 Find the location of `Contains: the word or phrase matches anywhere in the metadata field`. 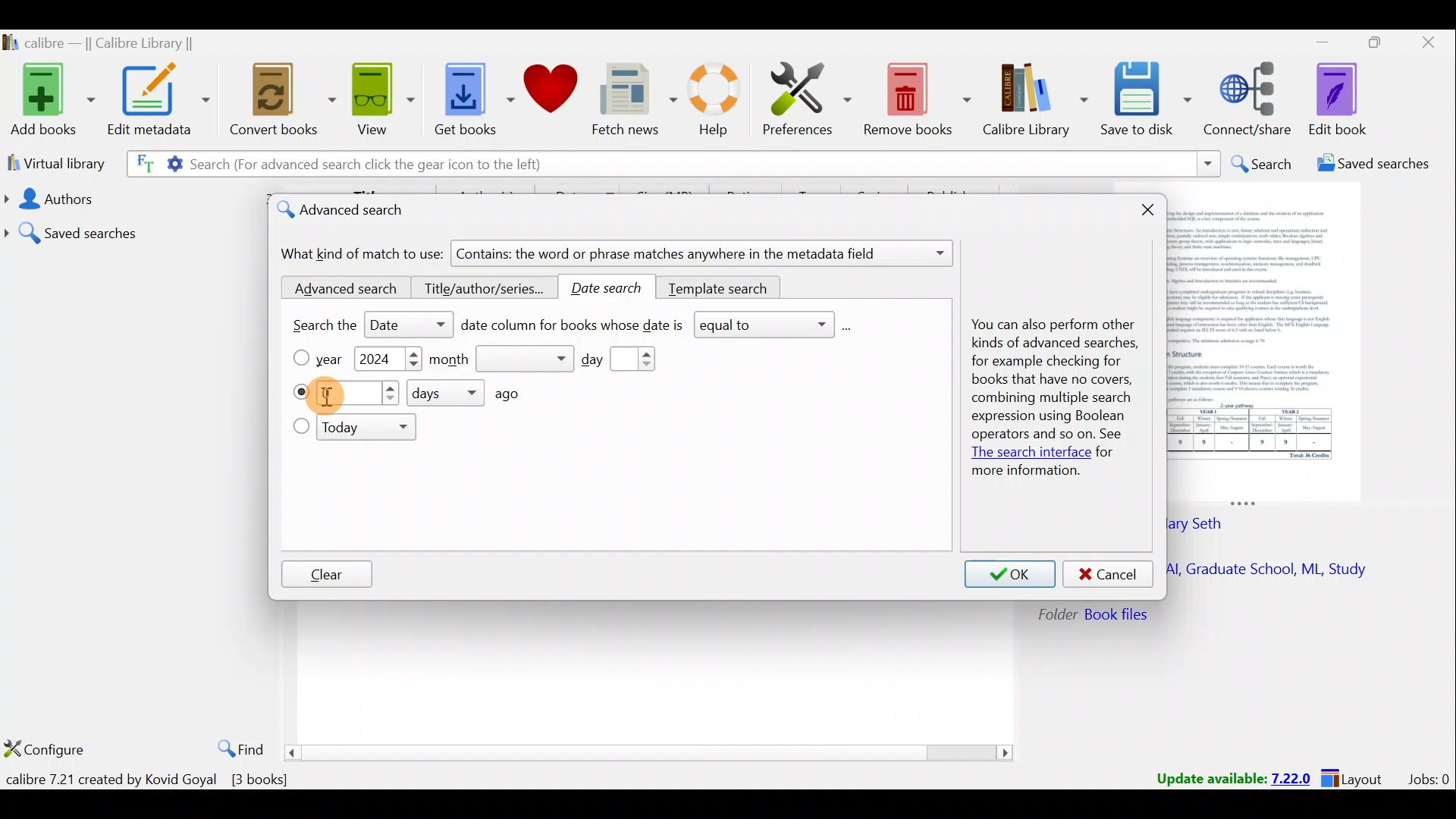

Contains: the word or phrase matches anywhere in the metadata field is located at coordinates (704, 255).